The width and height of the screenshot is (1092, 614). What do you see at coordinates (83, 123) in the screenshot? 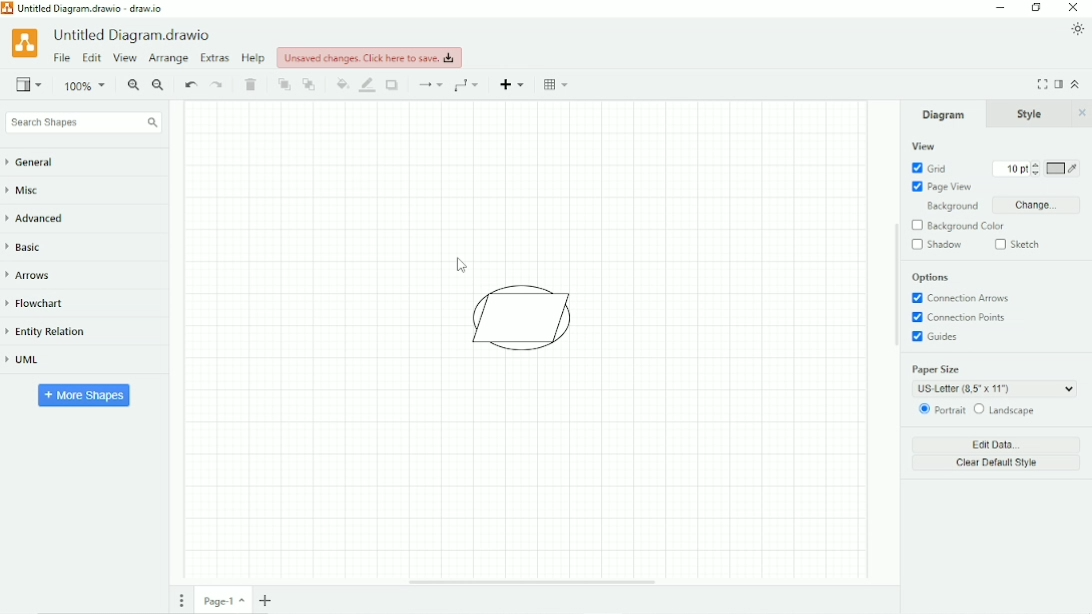
I see `Search shapes` at bounding box center [83, 123].